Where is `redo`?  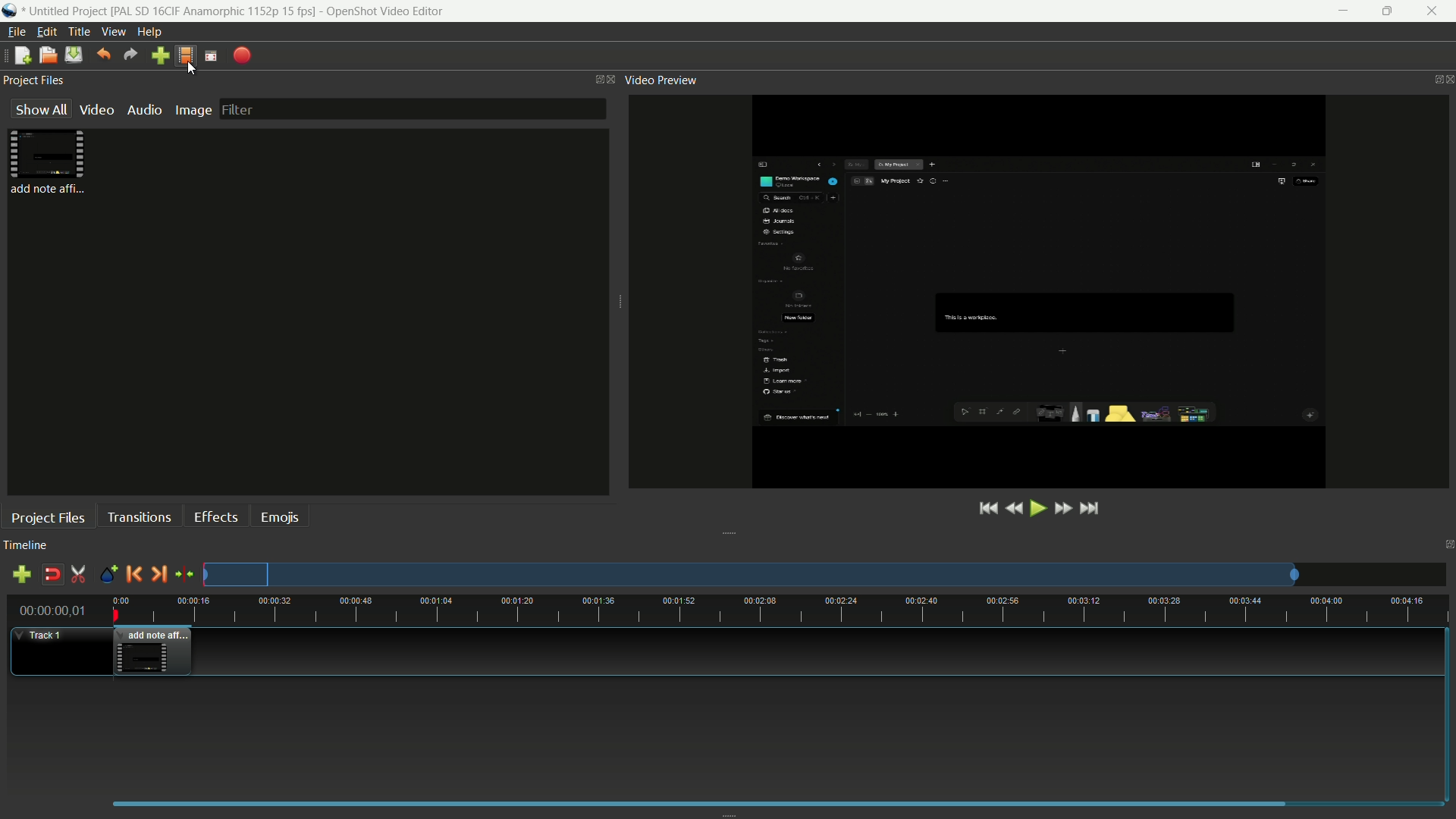 redo is located at coordinates (128, 55).